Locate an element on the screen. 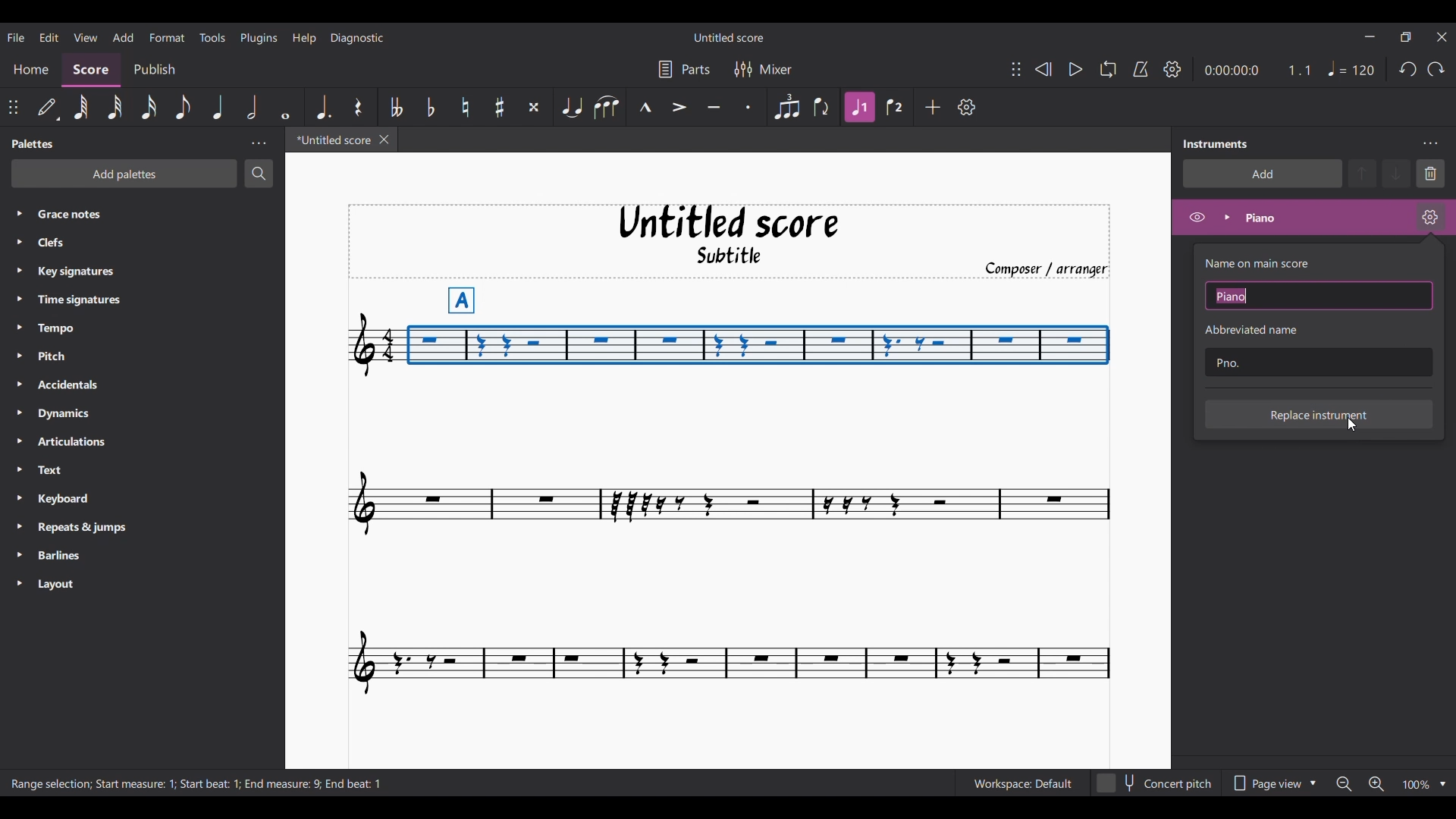 This screenshot has width=1456, height=819. Add instrument is located at coordinates (1263, 174).